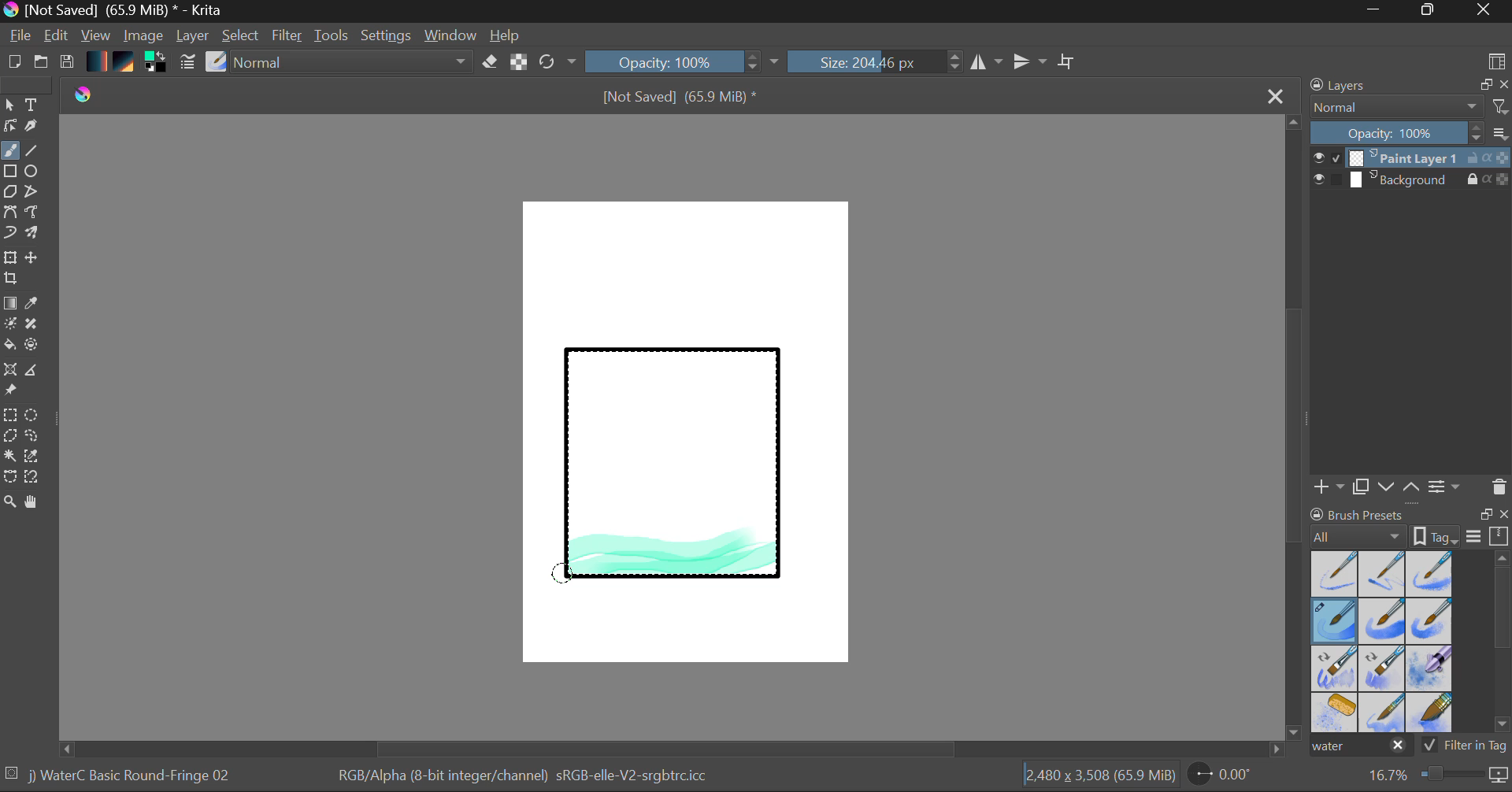 The image size is (1512, 792). What do you see at coordinates (34, 372) in the screenshot?
I see `Measurements` at bounding box center [34, 372].